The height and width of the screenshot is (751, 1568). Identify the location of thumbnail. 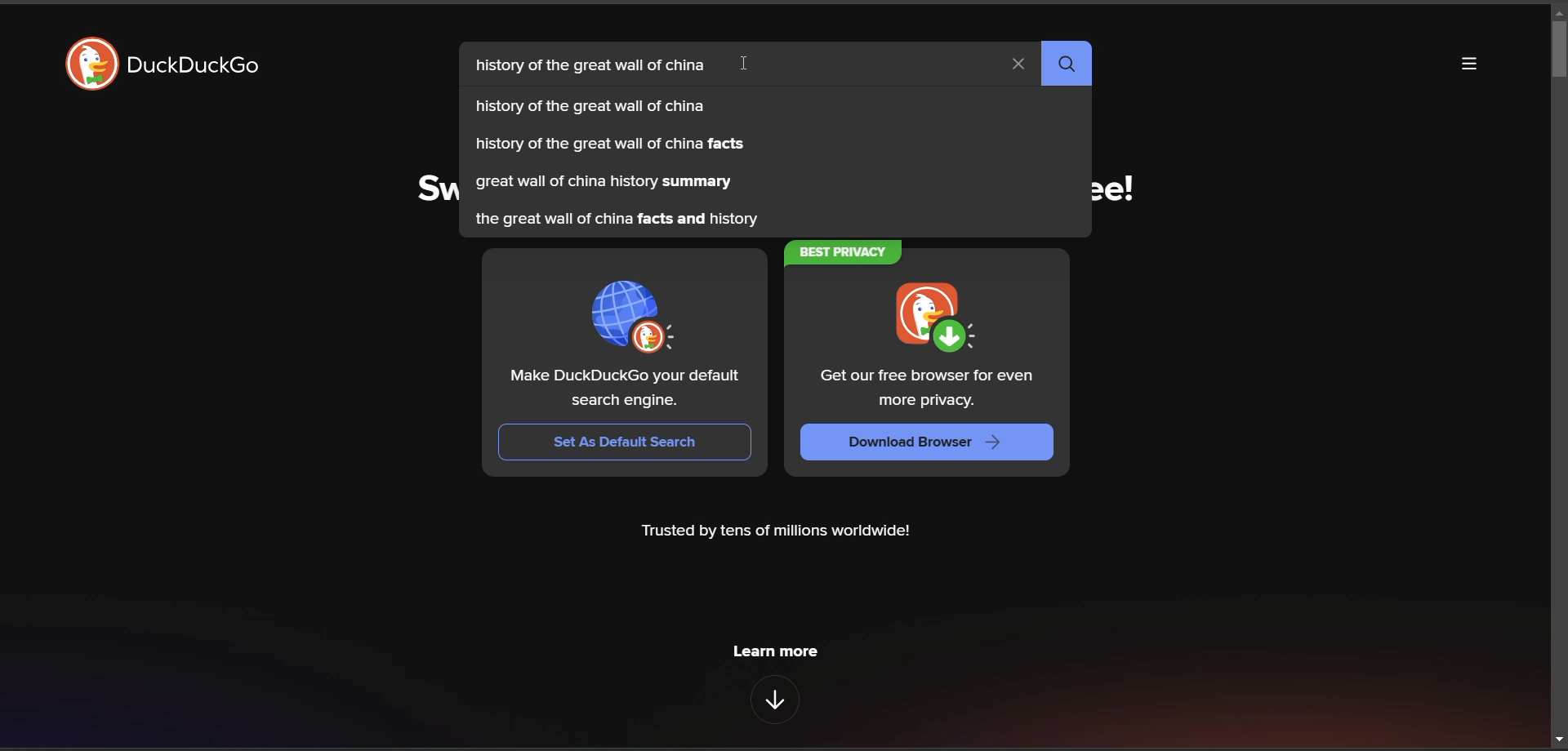
(940, 320).